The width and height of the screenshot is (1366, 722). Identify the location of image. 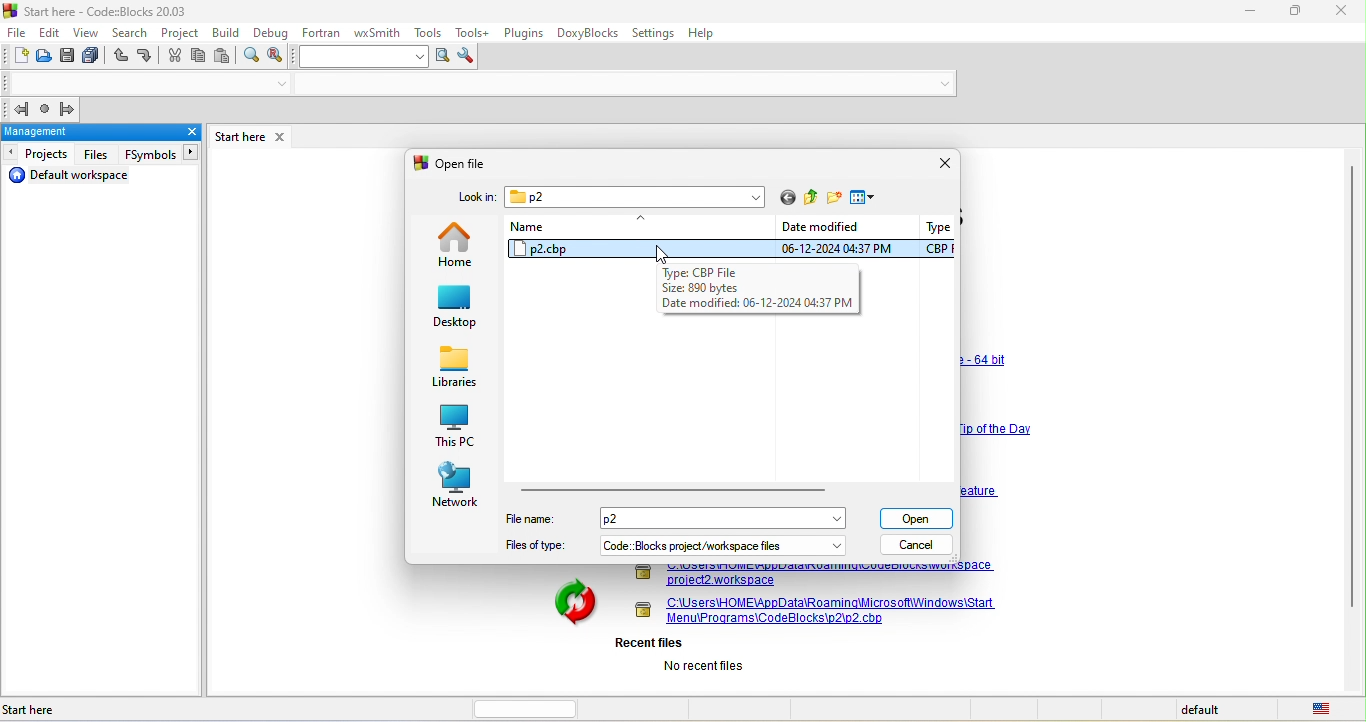
(565, 604).